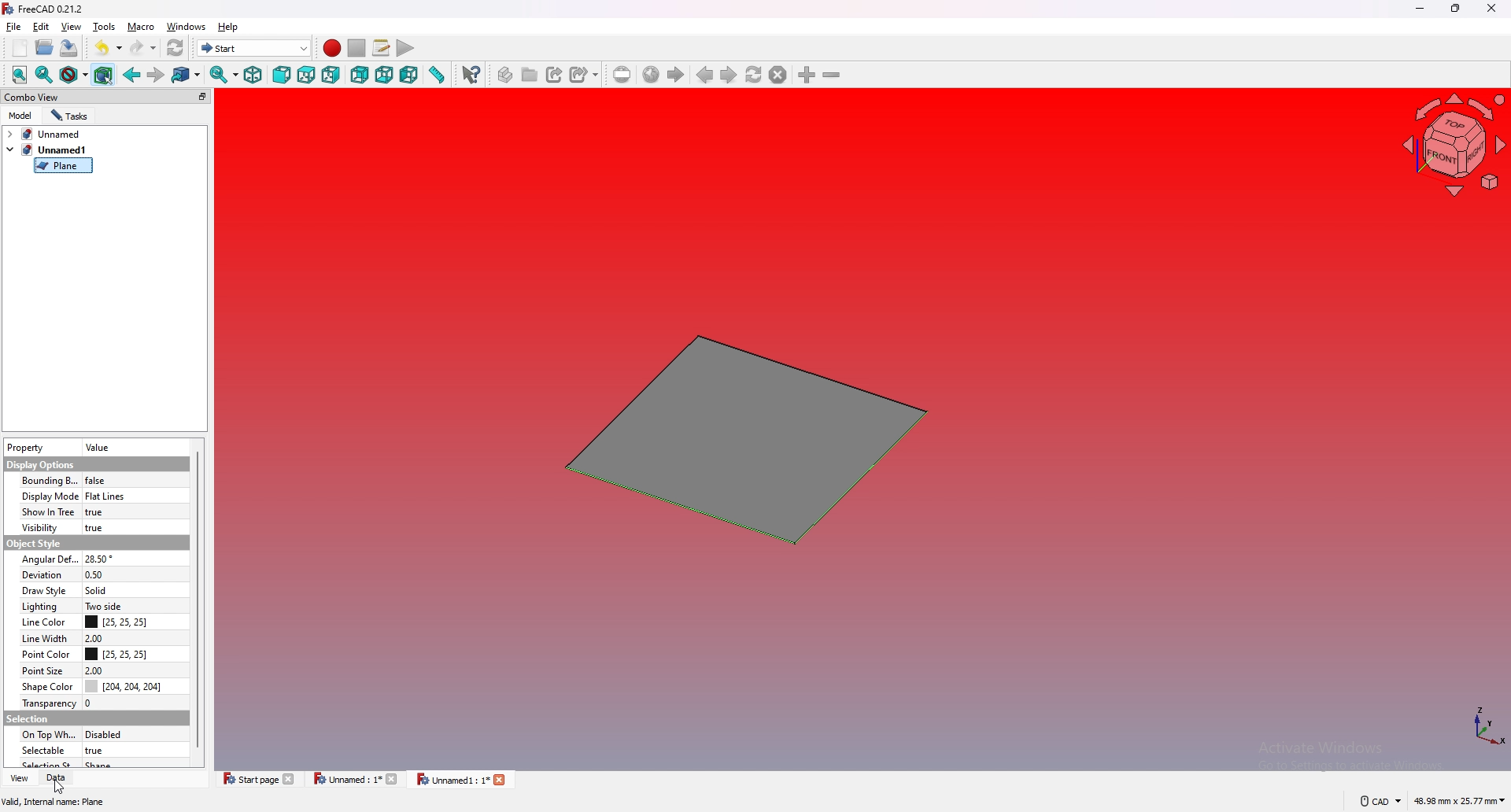  Describe the element at coordinates (25, 448) in the screenshot. I see `property` at that location.